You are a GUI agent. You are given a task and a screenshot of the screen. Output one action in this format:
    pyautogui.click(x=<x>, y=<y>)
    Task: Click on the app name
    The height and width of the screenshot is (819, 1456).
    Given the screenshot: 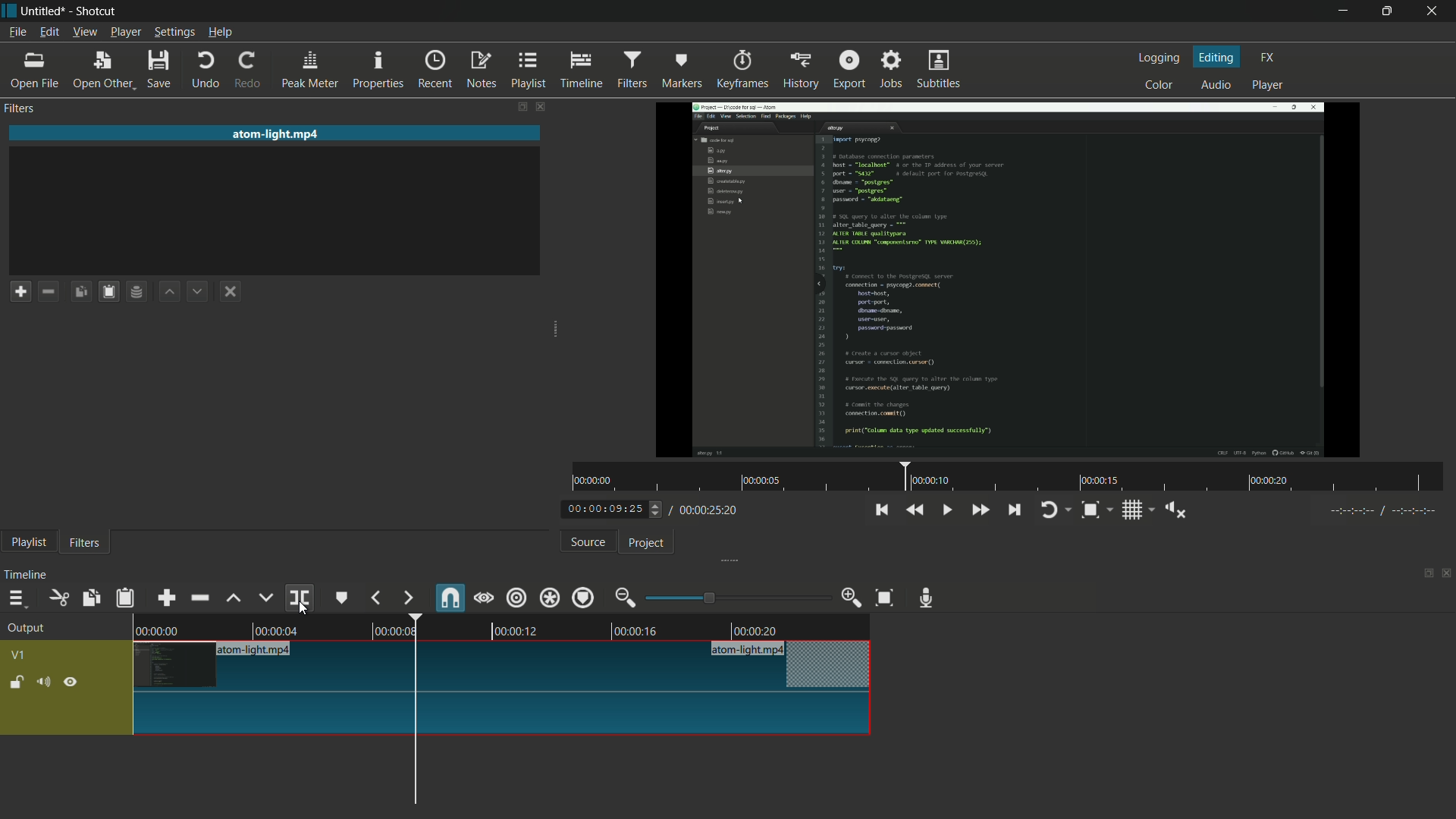 What is the action you would take?
    pyautogui.click(x=97, y=11)
    